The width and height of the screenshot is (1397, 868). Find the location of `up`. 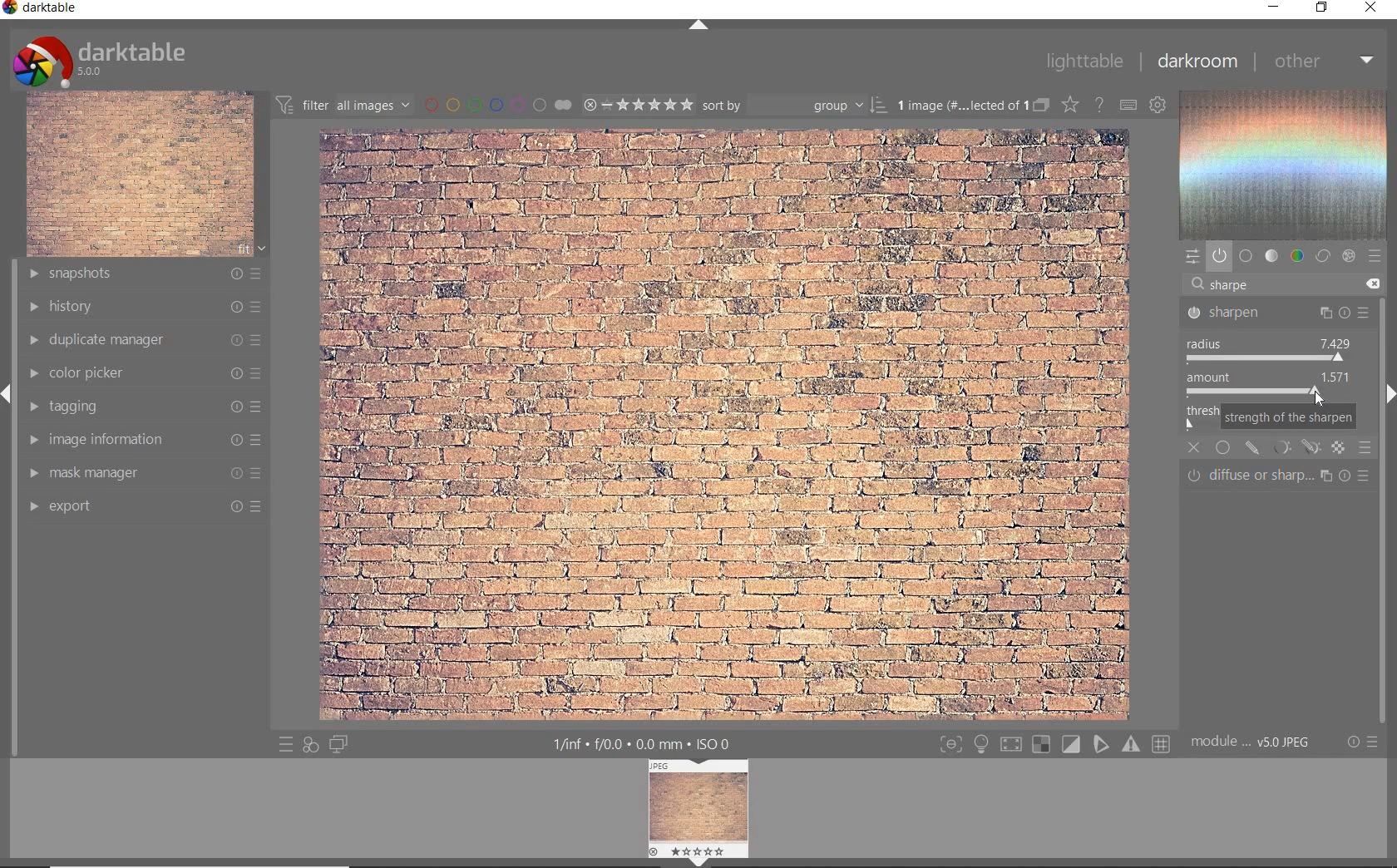

up is located at coordinates (700, 26).